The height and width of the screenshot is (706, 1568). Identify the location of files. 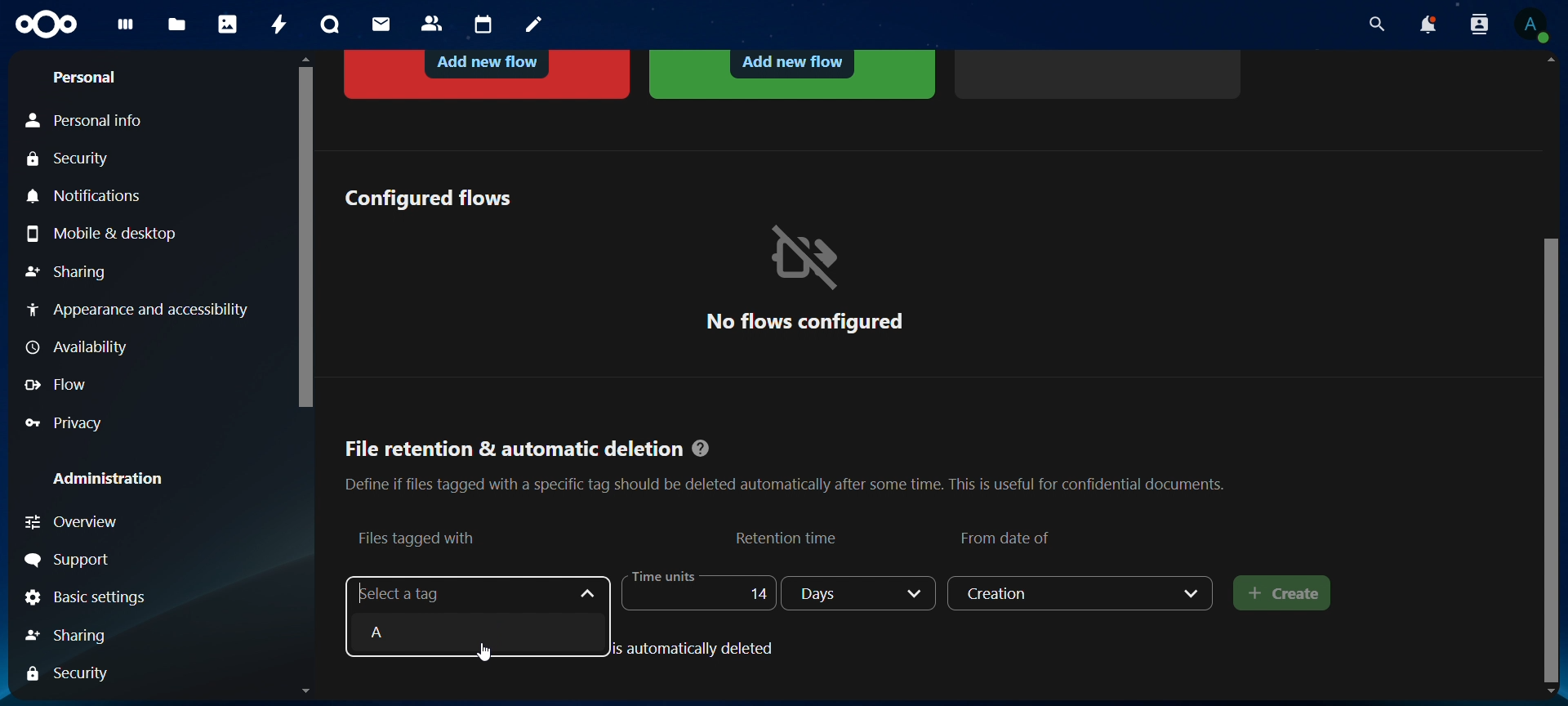
(177, 26).